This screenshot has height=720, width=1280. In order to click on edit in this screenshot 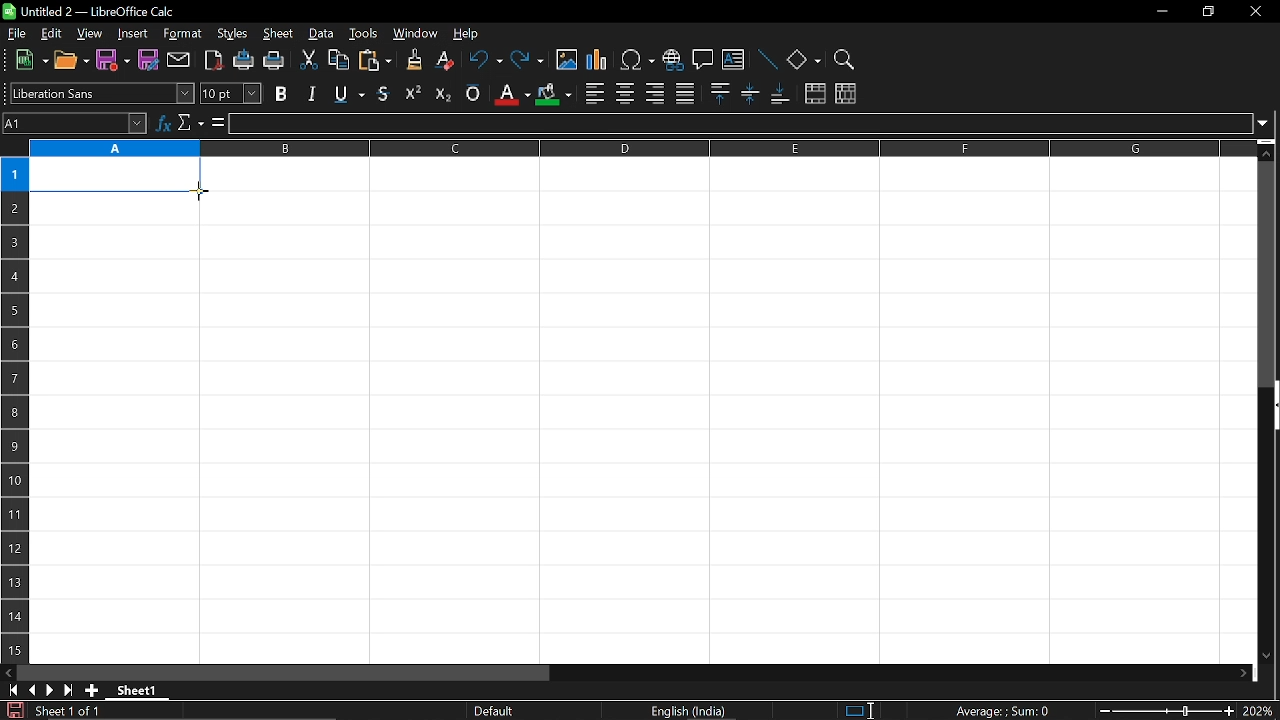, I will do `click(48, 34)`.